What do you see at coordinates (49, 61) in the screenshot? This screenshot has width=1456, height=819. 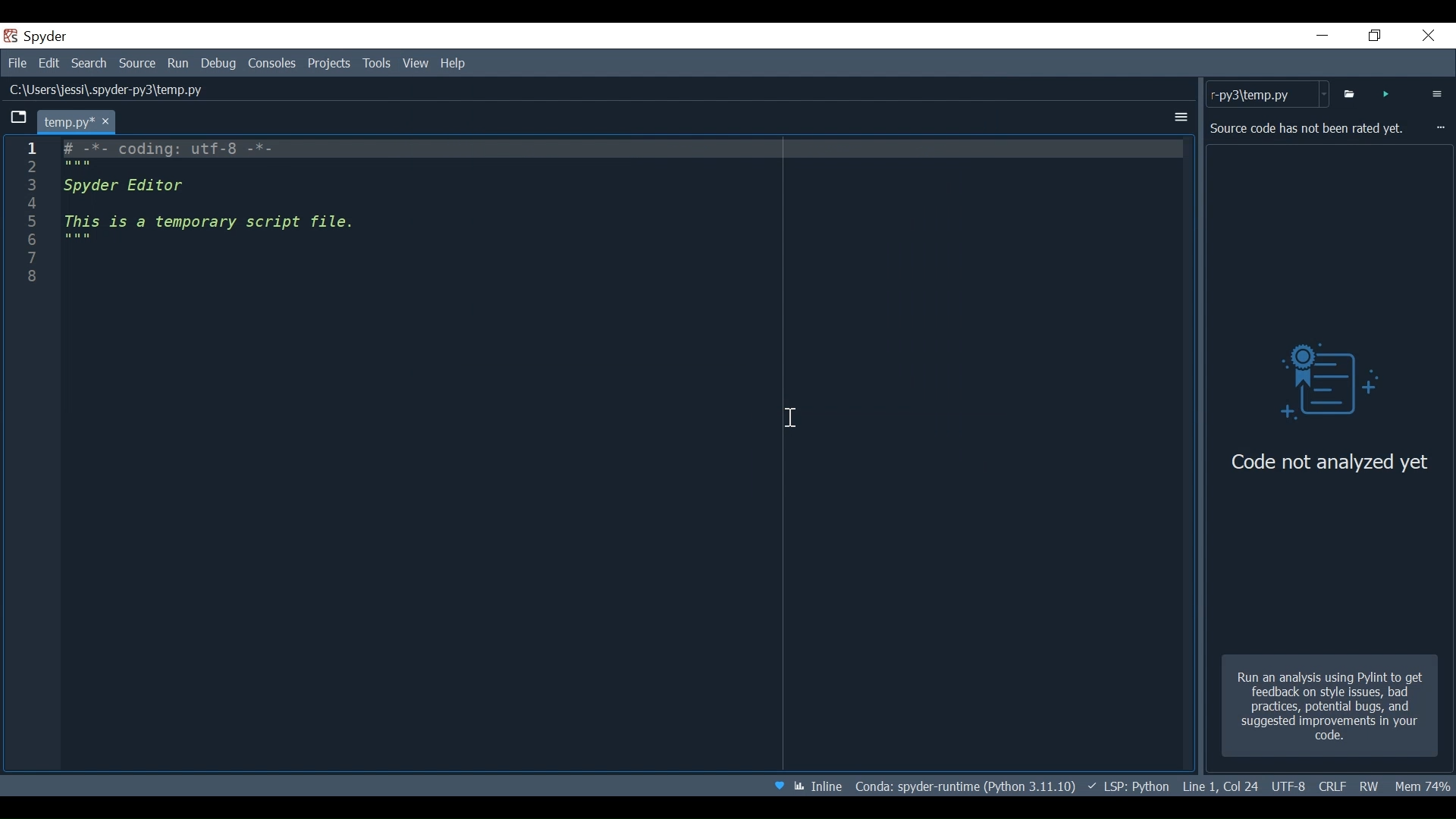 I see `Edit` at bounding box center [49, 61].